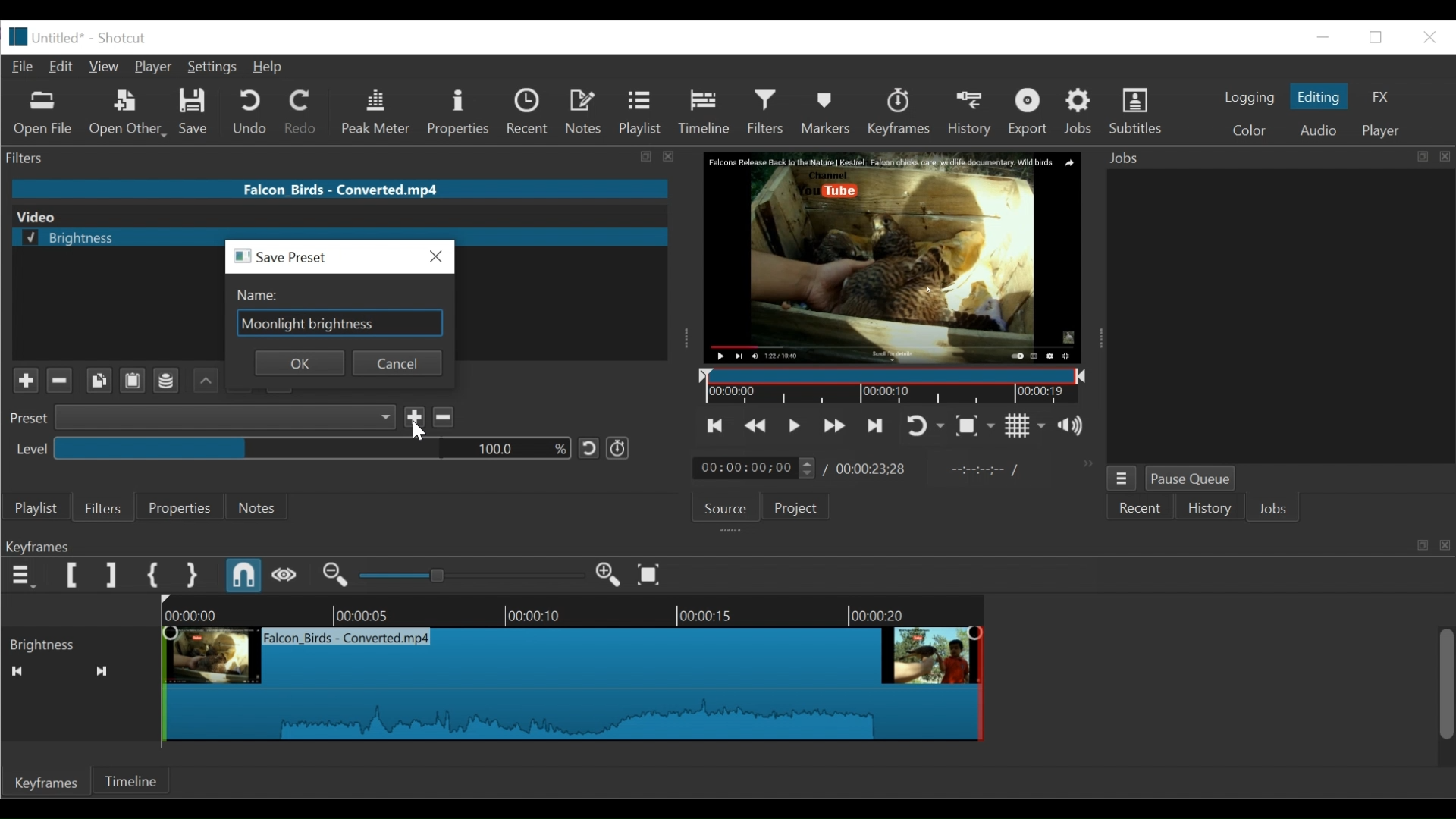  What do you see at coordinates (1380, 97) in the screenshot?
I see `FX` at bounding box center [1380, 97].